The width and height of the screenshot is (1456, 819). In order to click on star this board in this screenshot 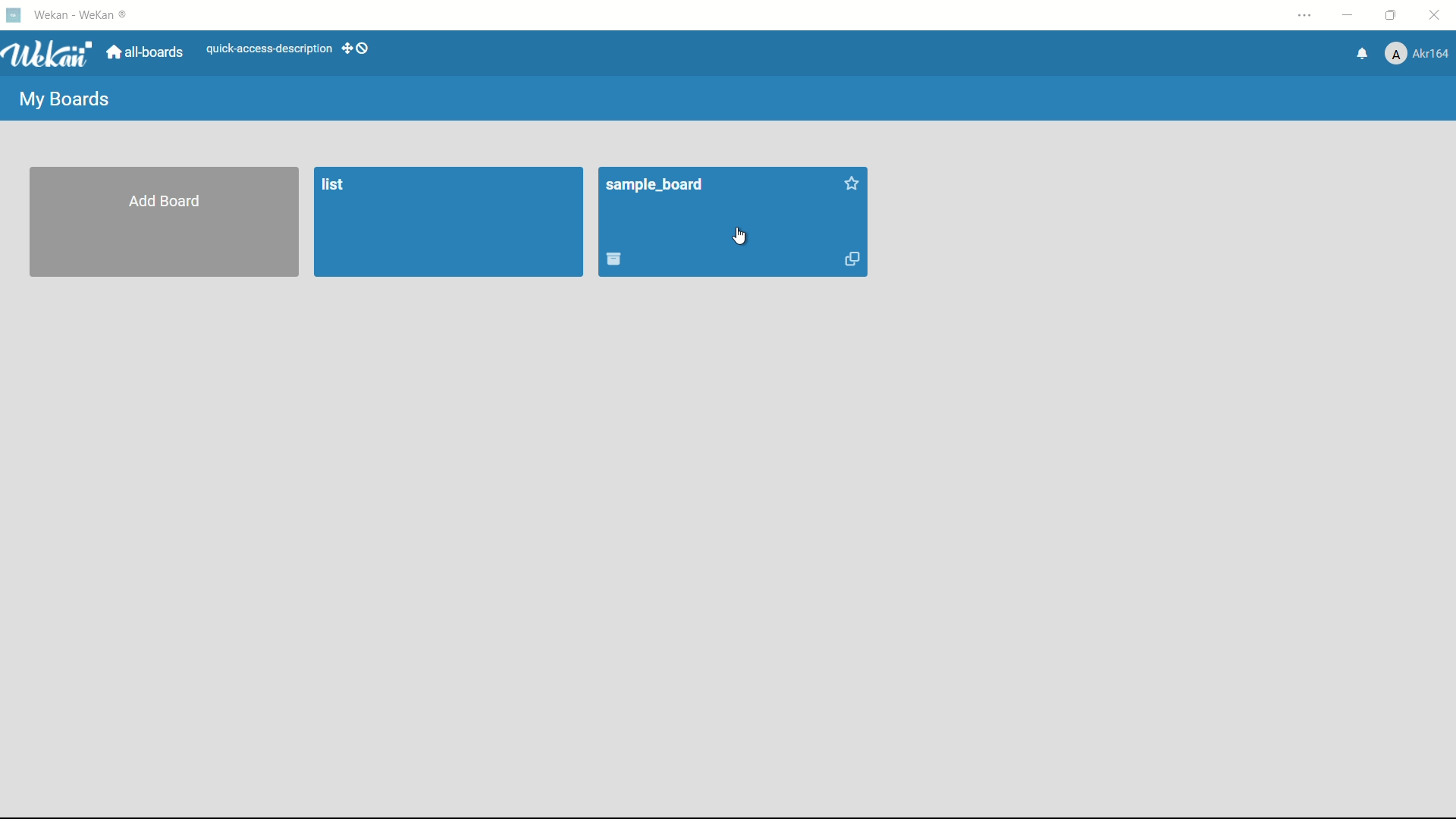, I will do `click(850, 184)`.